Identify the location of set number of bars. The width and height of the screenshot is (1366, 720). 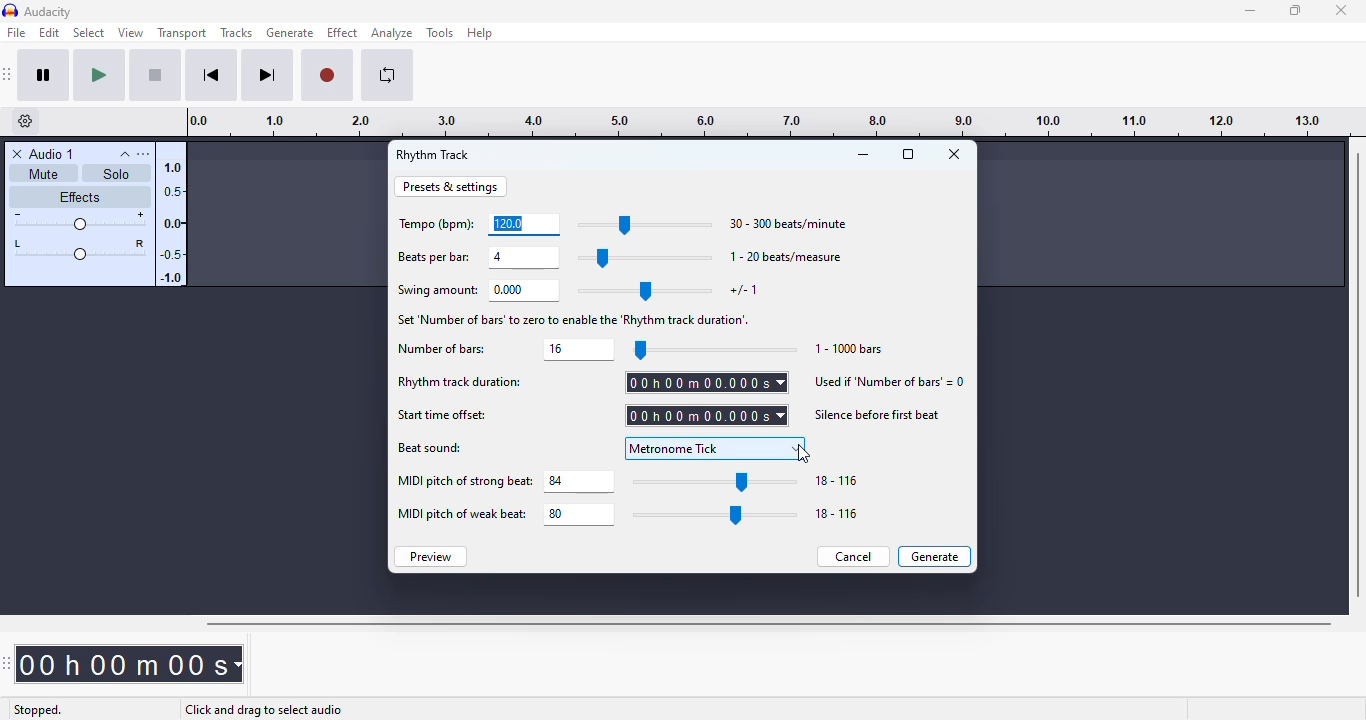
(579, 349).